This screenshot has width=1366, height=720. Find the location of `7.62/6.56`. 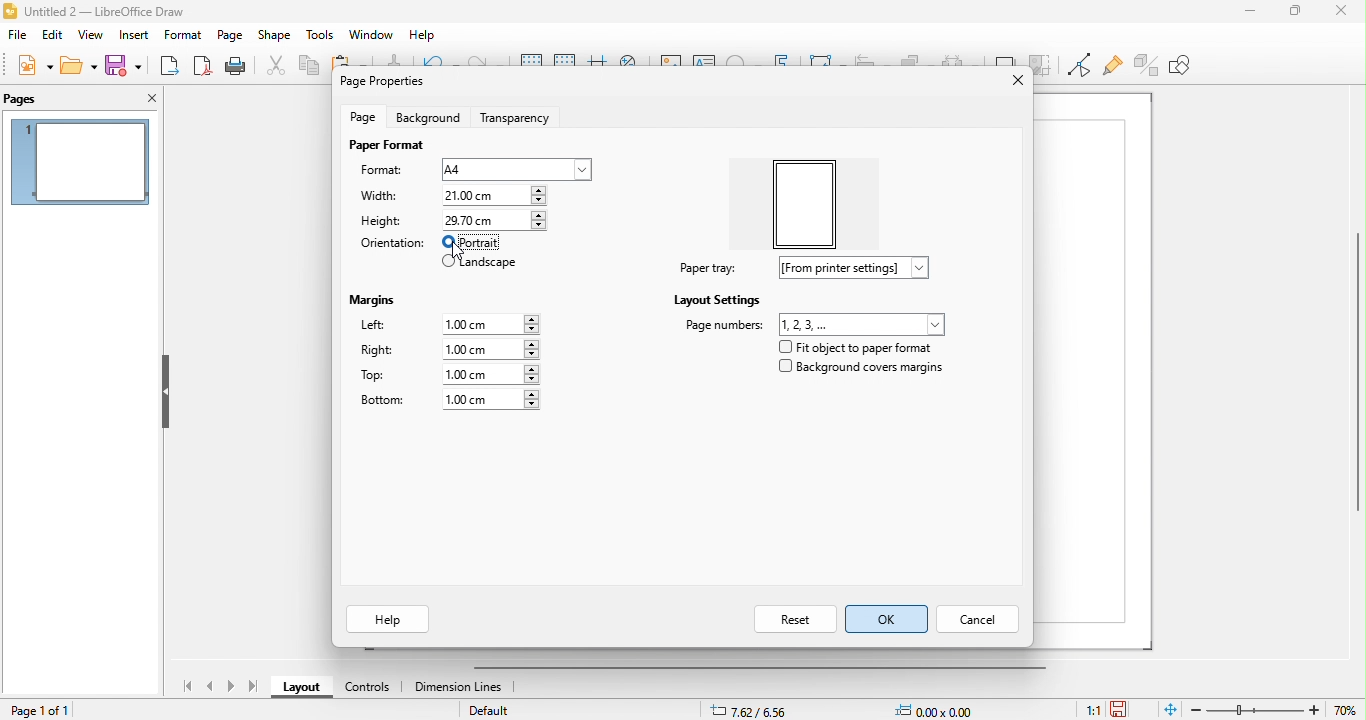

7.62/6.56 is located at coordinates (752, 709).